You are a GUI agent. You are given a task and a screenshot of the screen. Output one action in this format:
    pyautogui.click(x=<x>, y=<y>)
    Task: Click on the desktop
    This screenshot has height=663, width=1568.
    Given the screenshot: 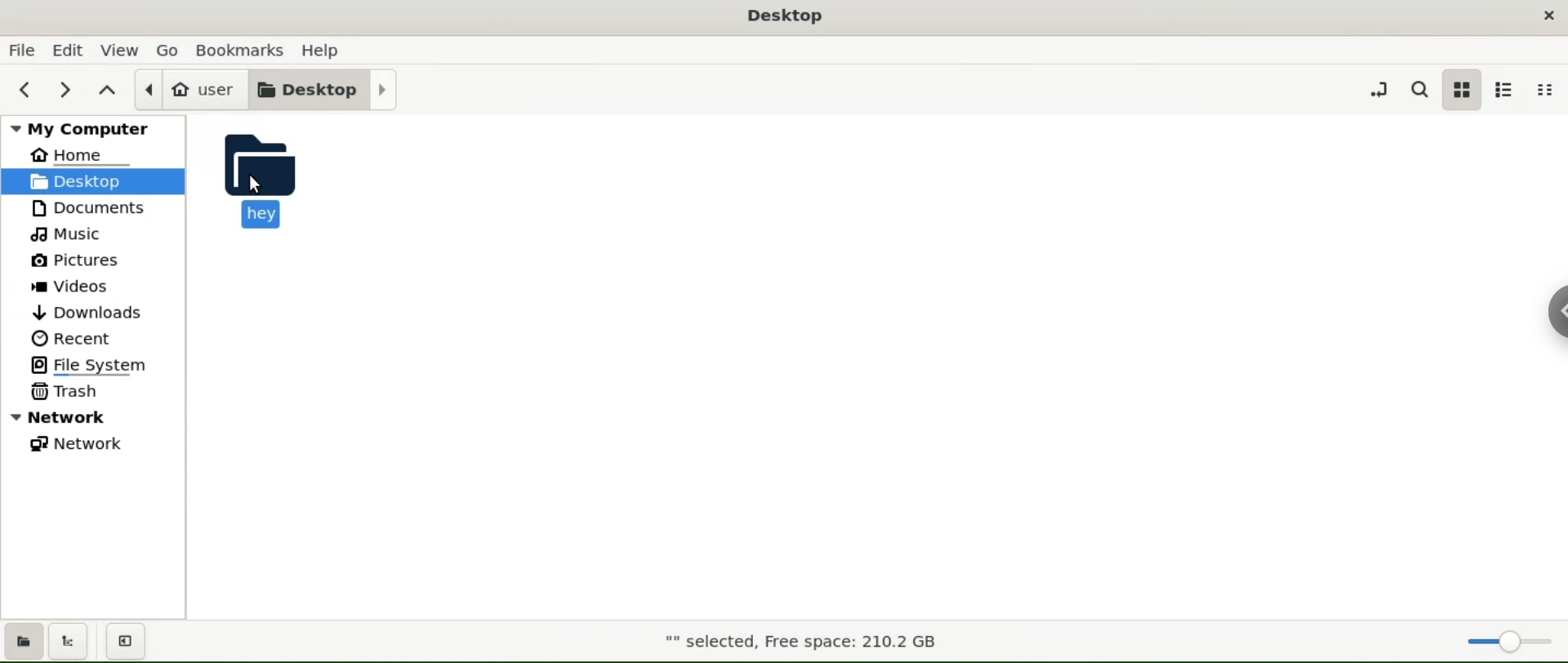 What is the action you would take?
    pyautogui.click(x=327, y=88)
    